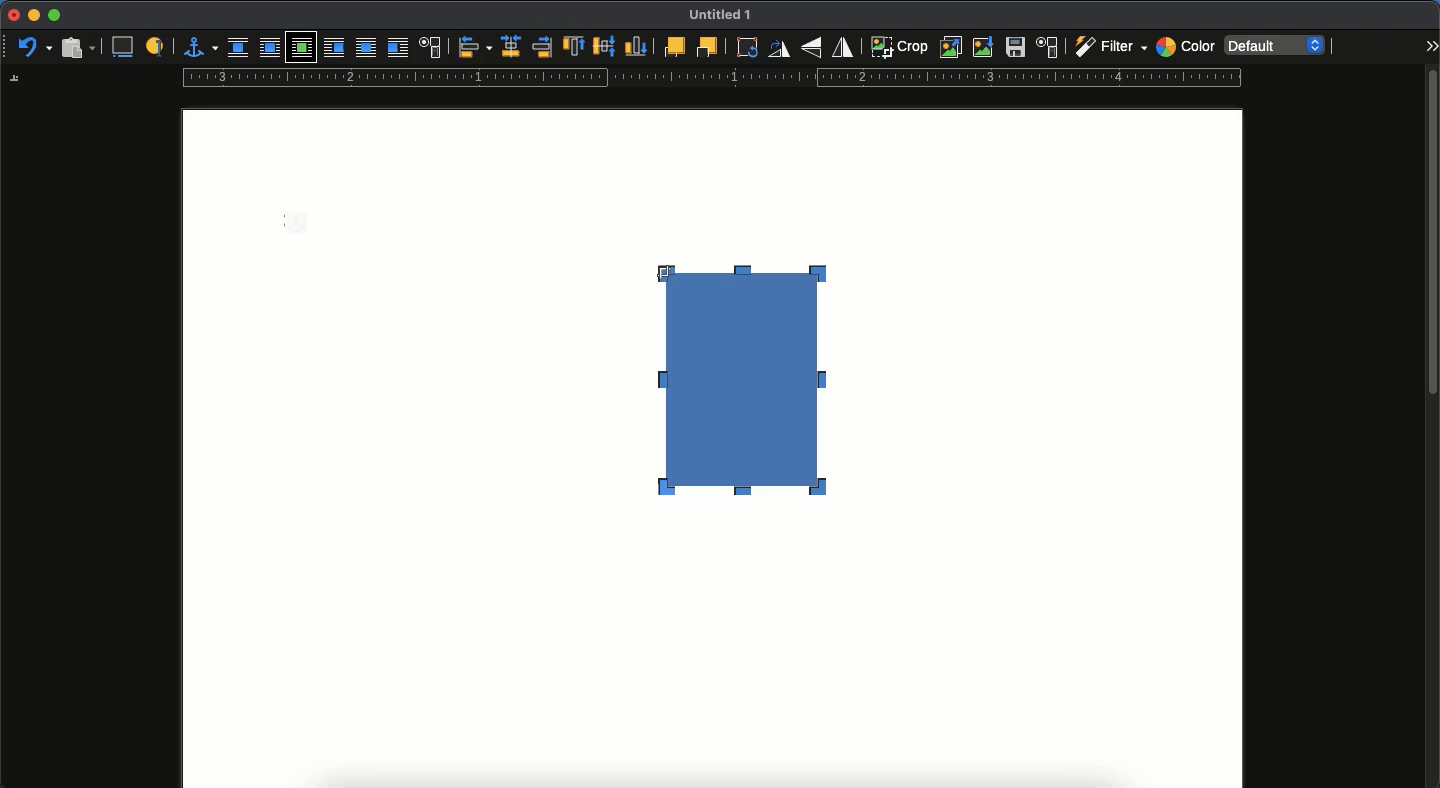 The image size is (1440, 788). Describe the element at coordinates (984, 47) in the screenshot. I see `compress` at that location.